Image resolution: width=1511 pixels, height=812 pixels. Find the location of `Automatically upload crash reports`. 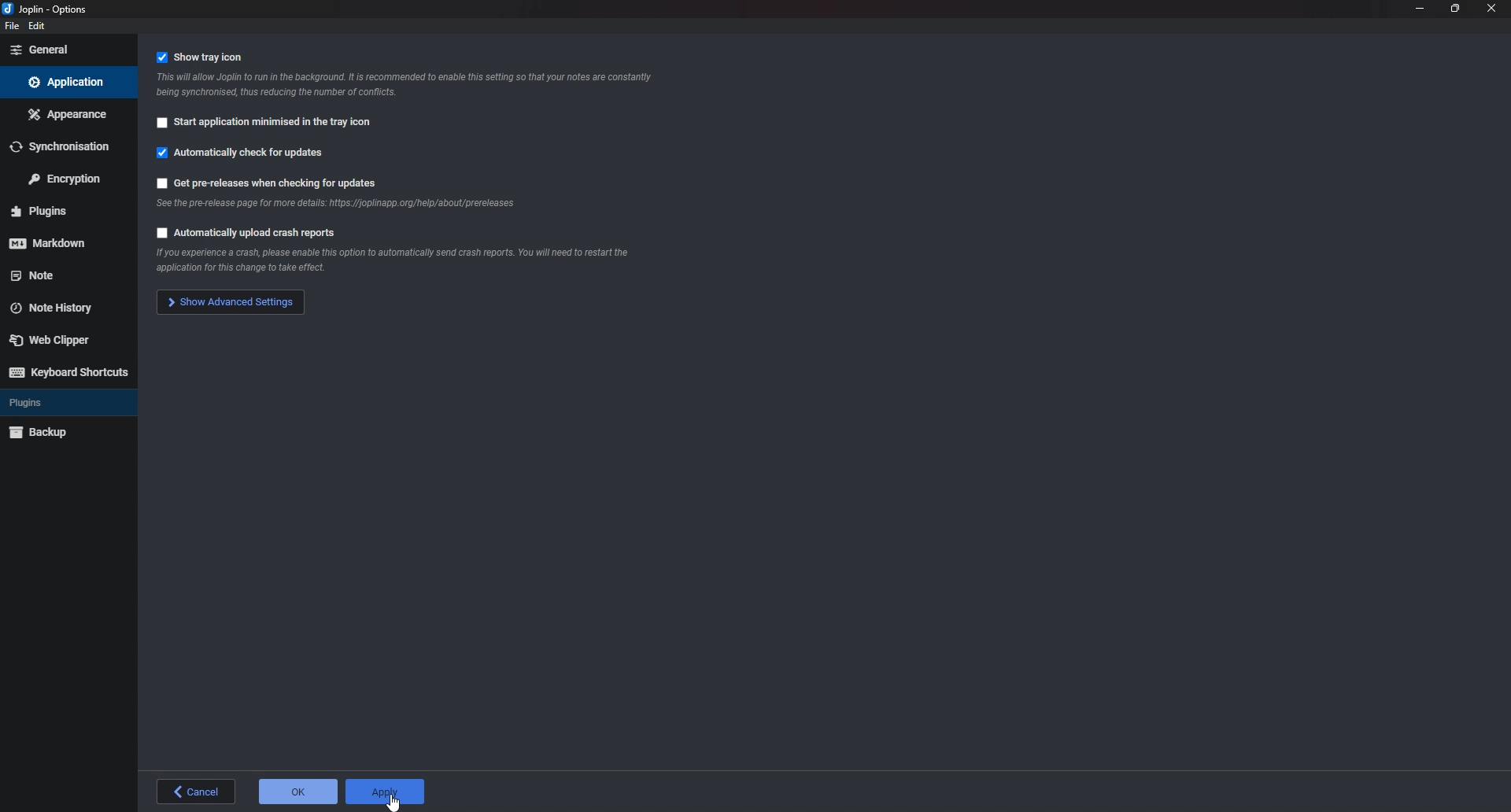

Automatically upload crash reports is located at coordinates (246, 235).